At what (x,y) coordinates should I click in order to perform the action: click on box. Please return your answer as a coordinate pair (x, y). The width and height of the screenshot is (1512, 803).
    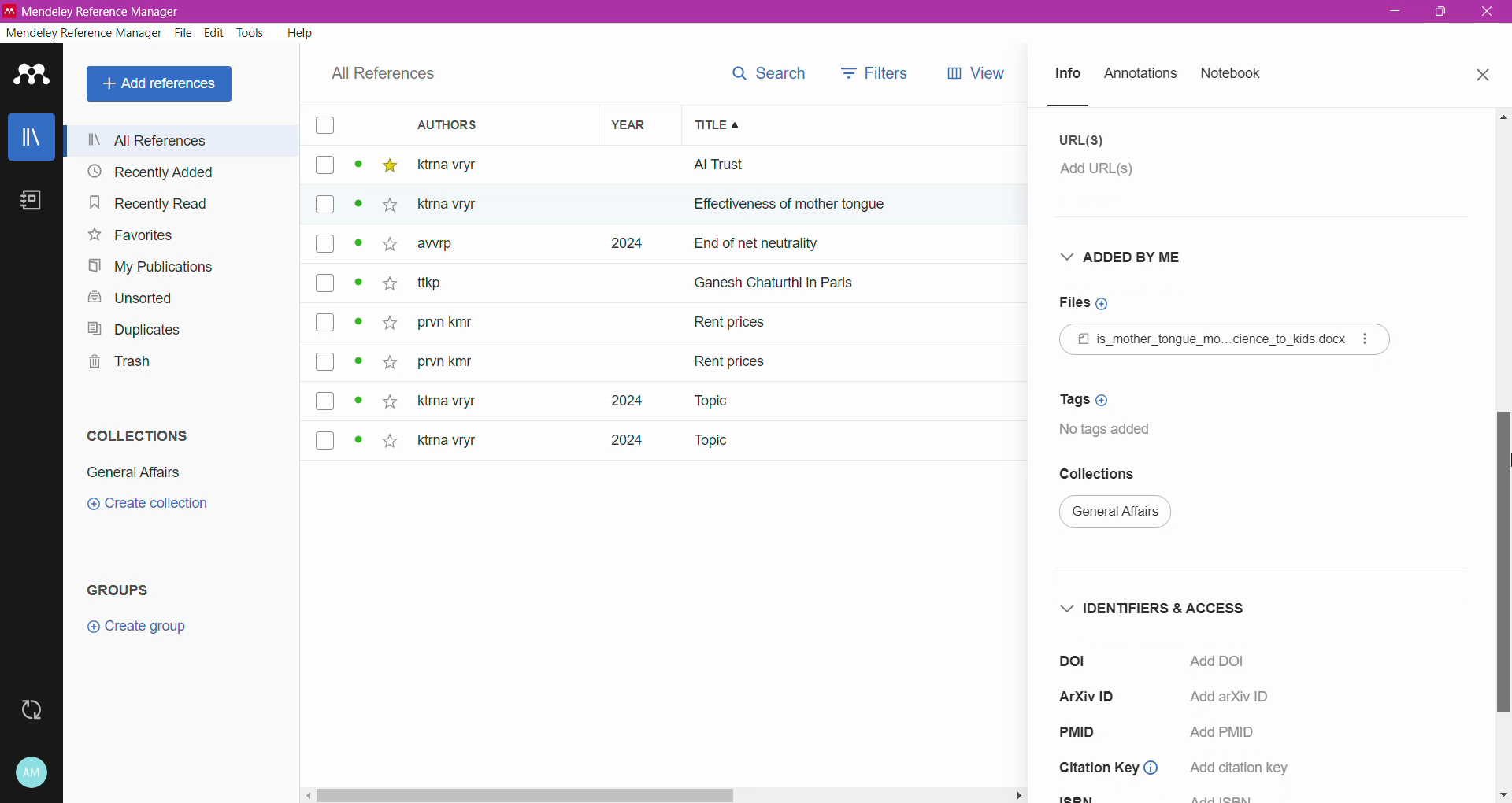
    Looking at the image, I should click on (330, 401).